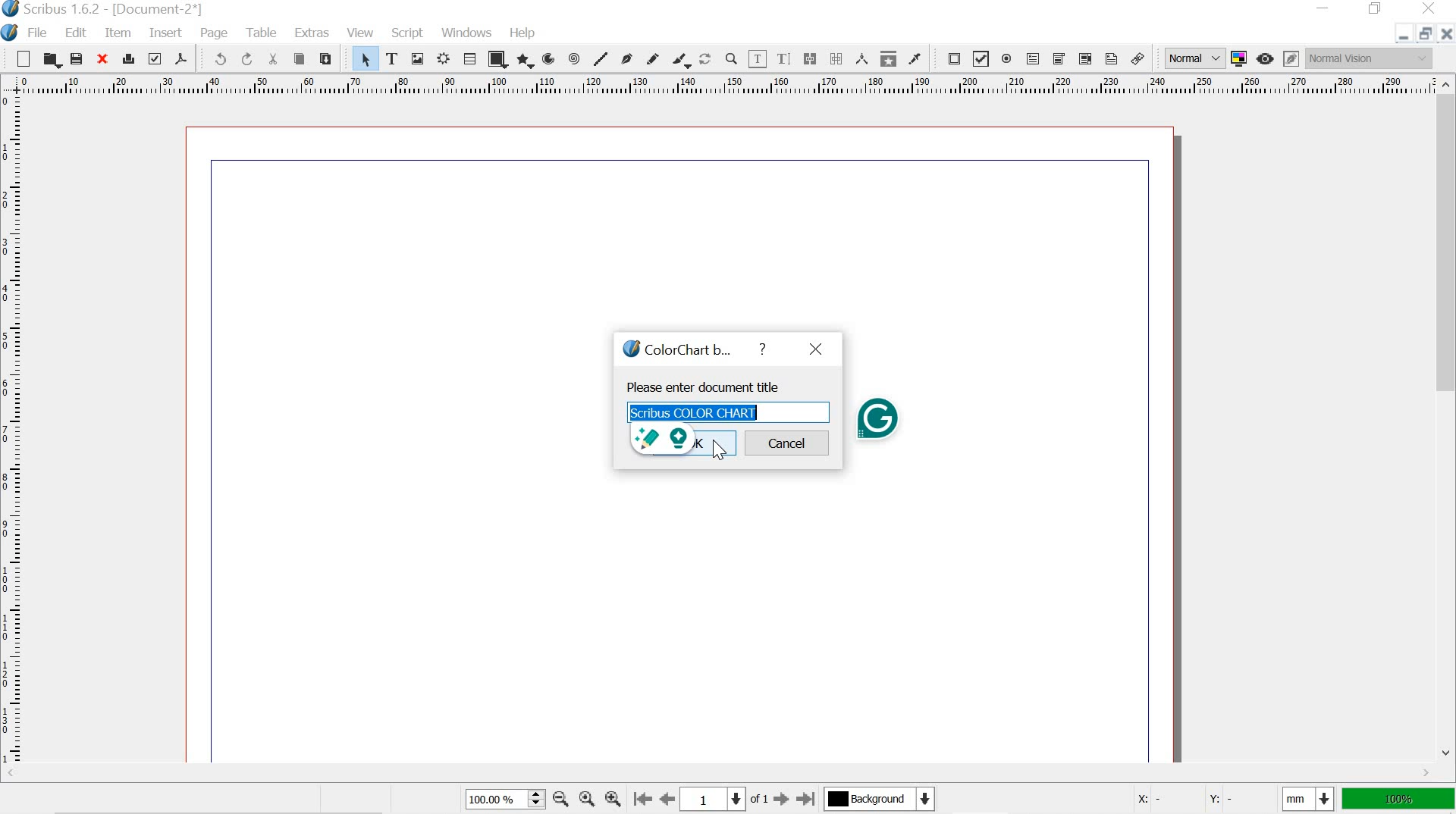 The width and height of the screenshot is (1456, 814). I want to click on image frame, so click(418, 58).